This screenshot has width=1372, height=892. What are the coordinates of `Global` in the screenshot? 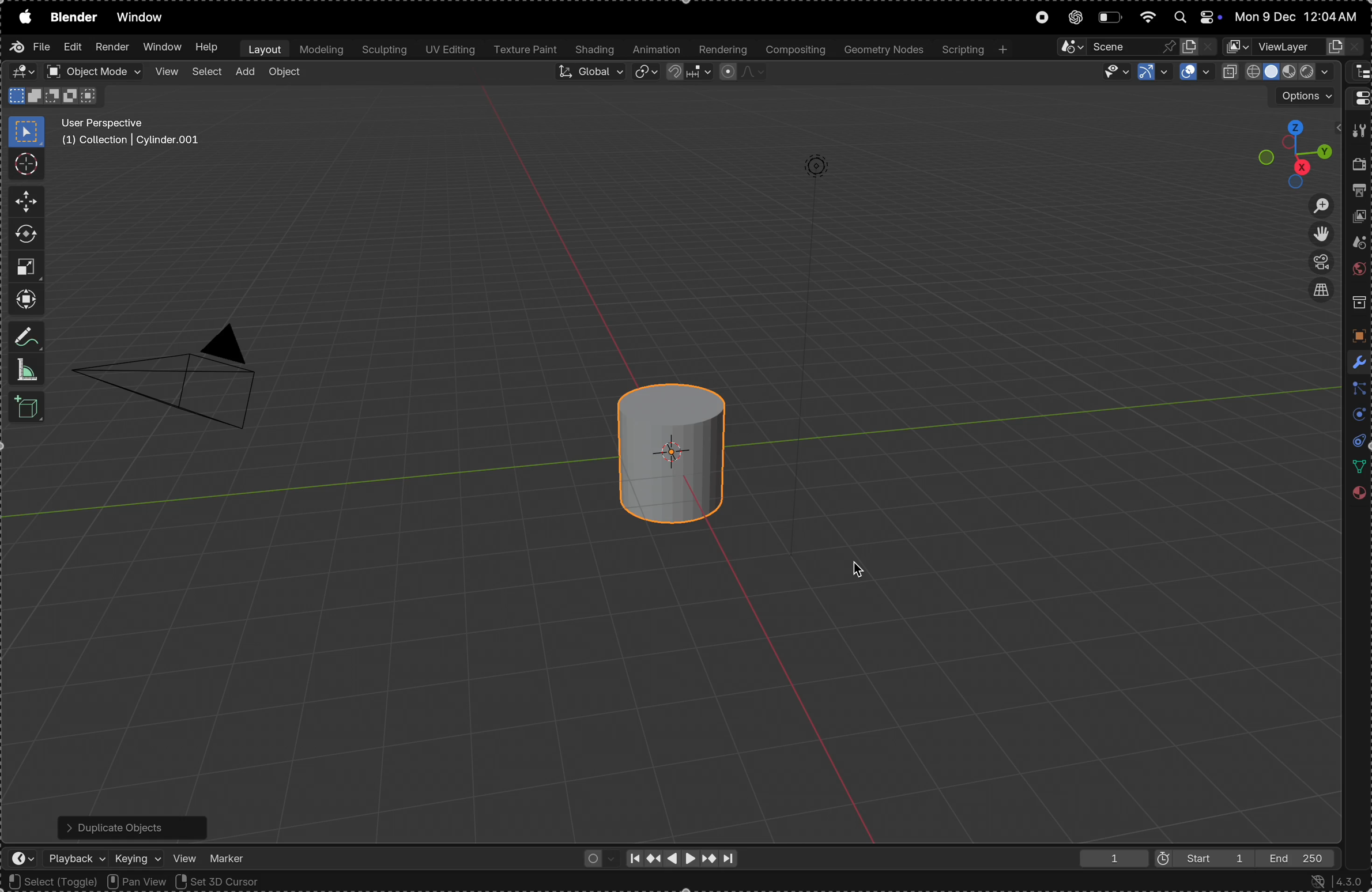 It's located at (589, 74).